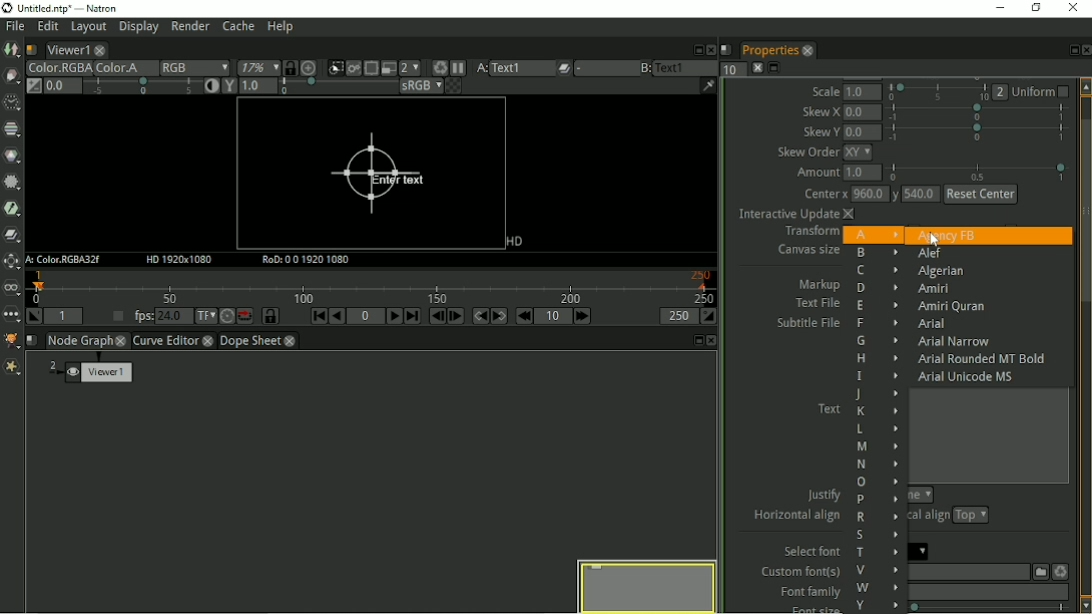 The width and height of the screenshot is (1092, 614). I want to click on text1, so click(686, 67).